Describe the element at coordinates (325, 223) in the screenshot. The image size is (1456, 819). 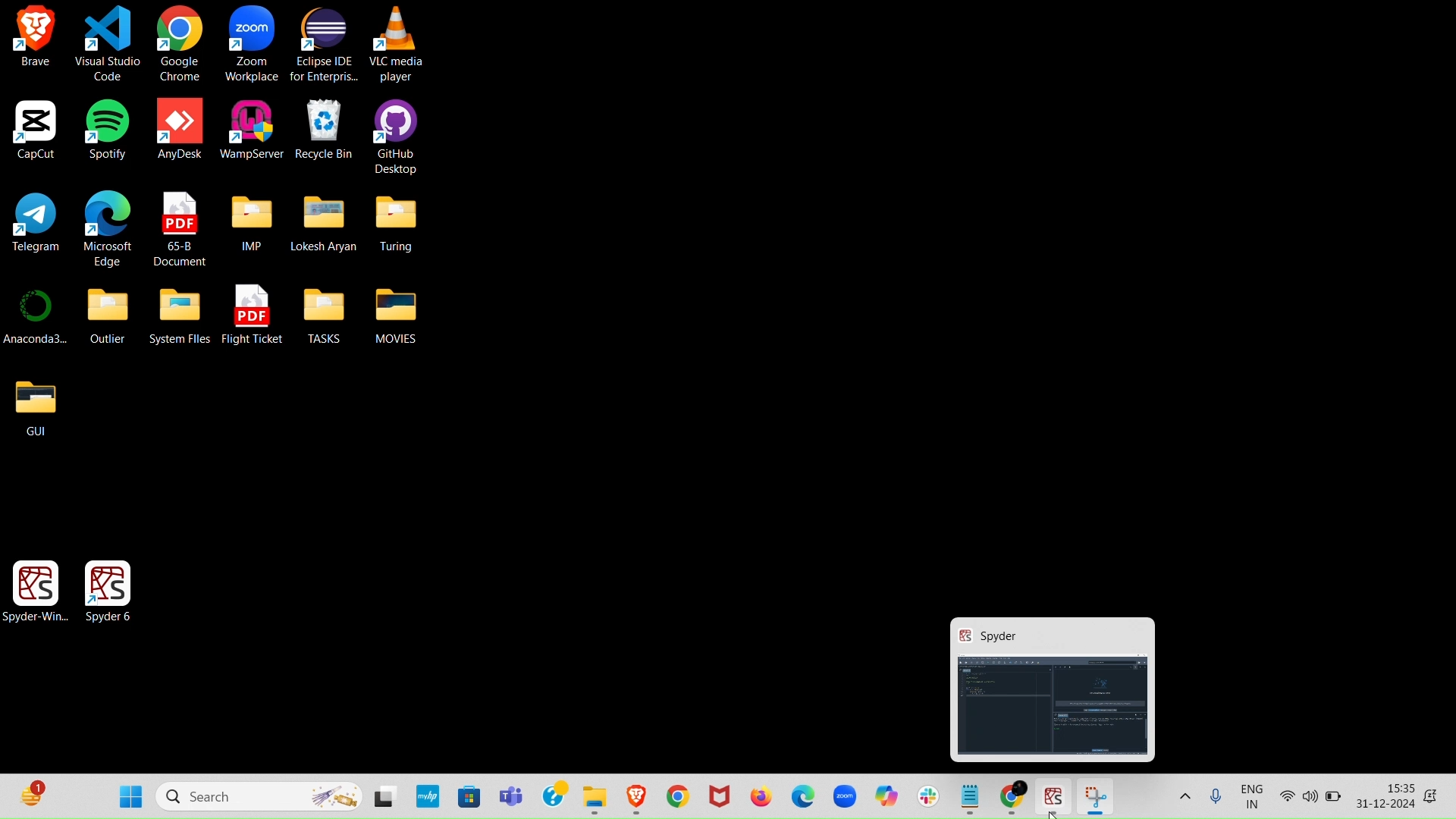
I see `Lokesh Aryan` at that location.